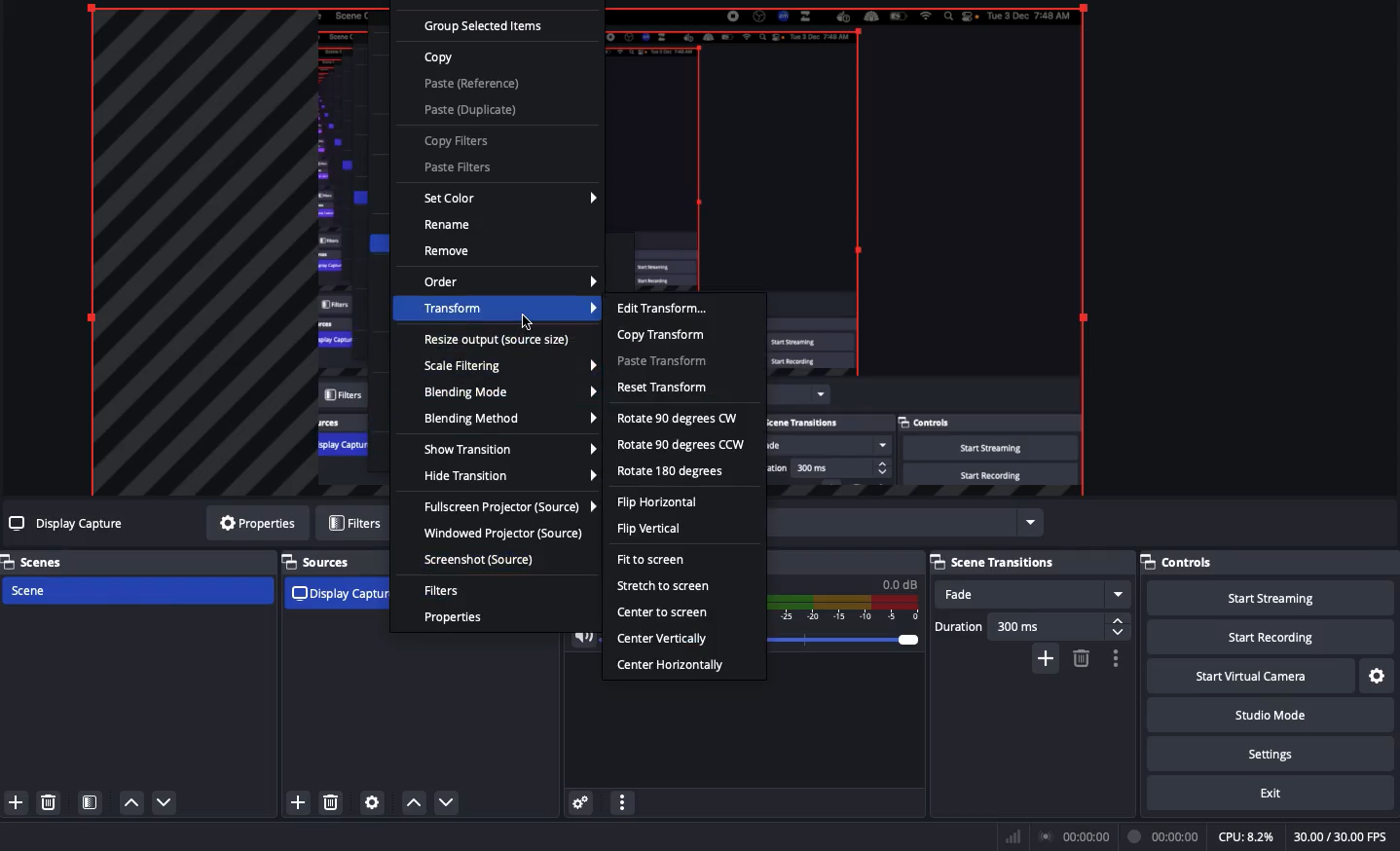 This screenshot has width=1400, height=851. What do you see at coordinates (1013, 836) in the screenshot?
I see `Bars` at bounding box center [1013, 836].